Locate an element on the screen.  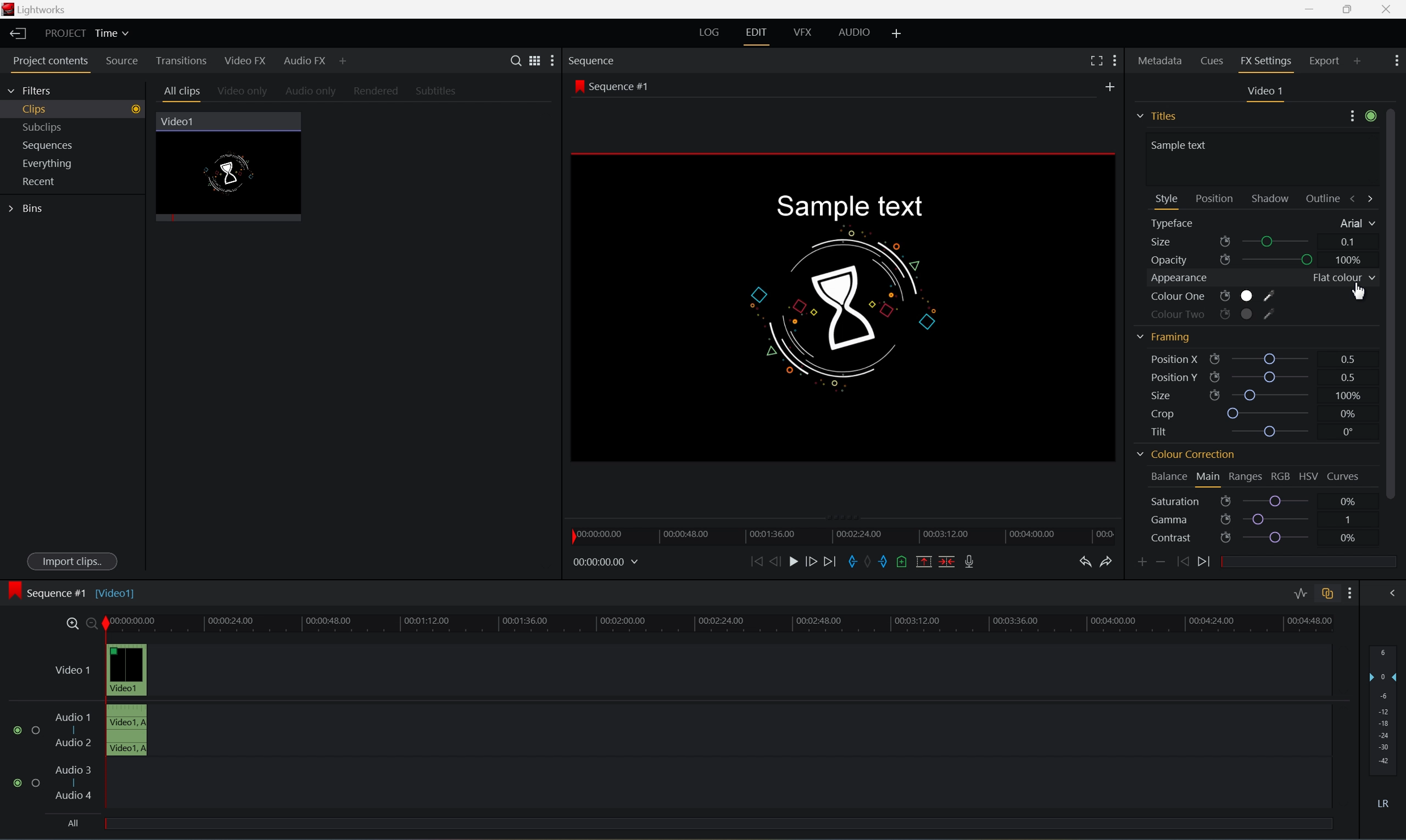
Files is located at coordinates (1159, 114).